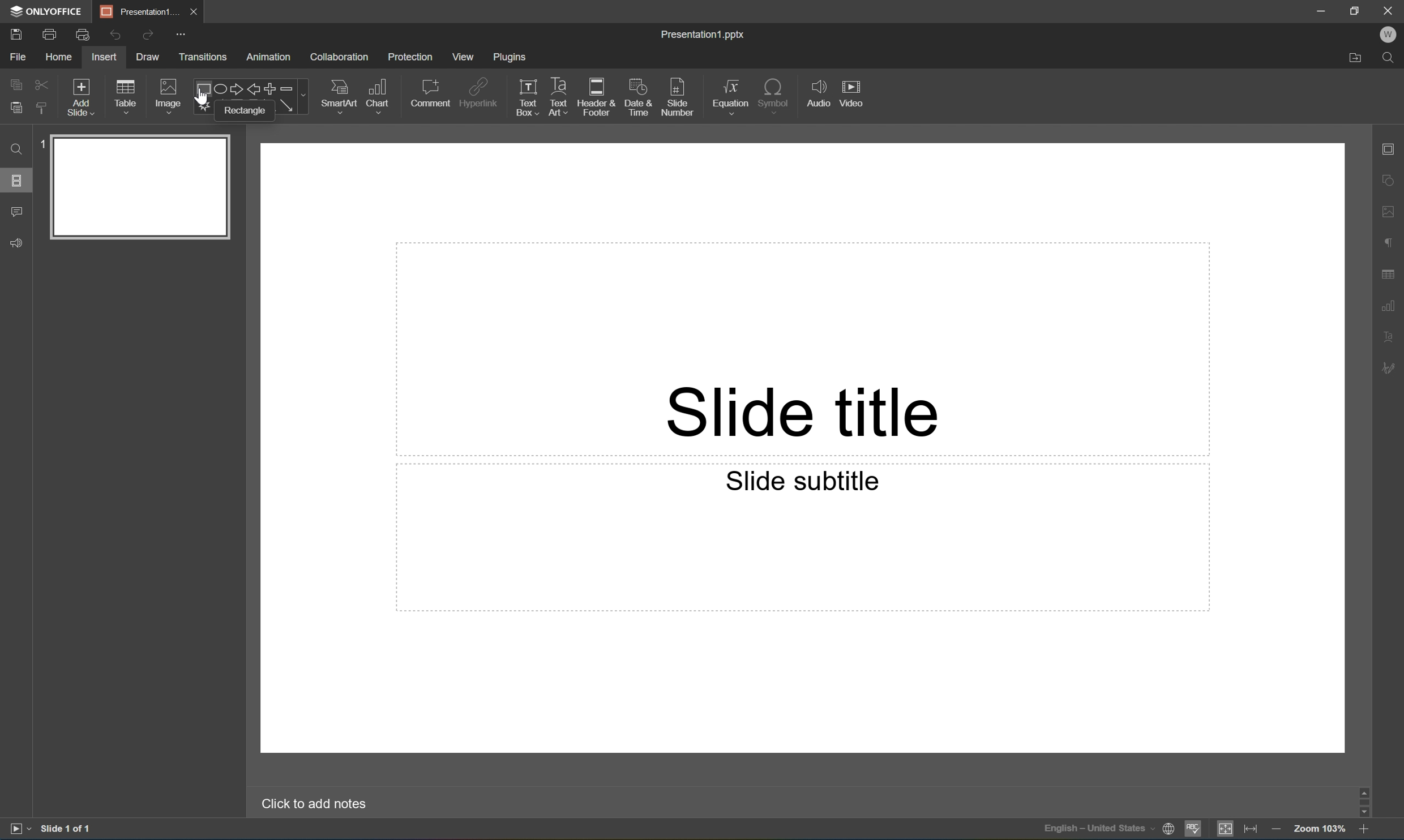  What do you see at coordinates (16, 149) in the screenshot?
I see `Find` at bounding box center [16, 149].